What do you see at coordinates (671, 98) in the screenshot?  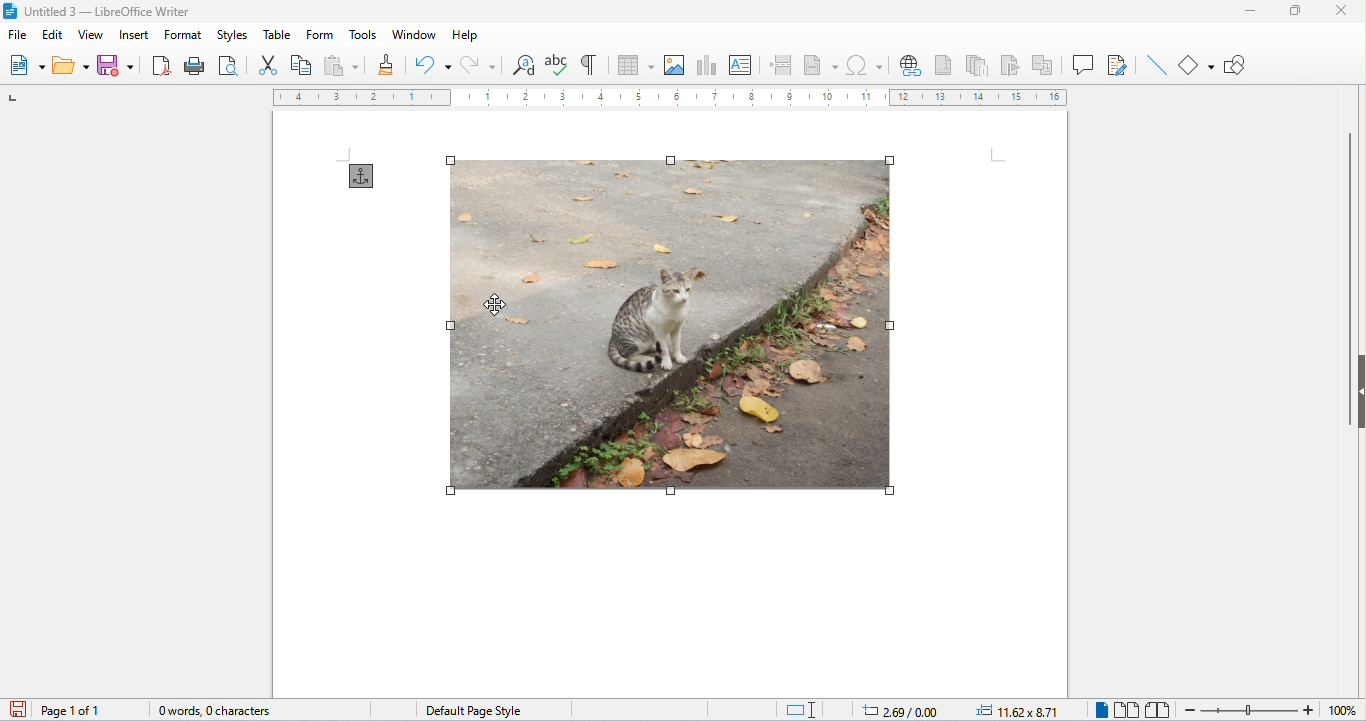 I see `ruler` at bounding box center [671, 98].